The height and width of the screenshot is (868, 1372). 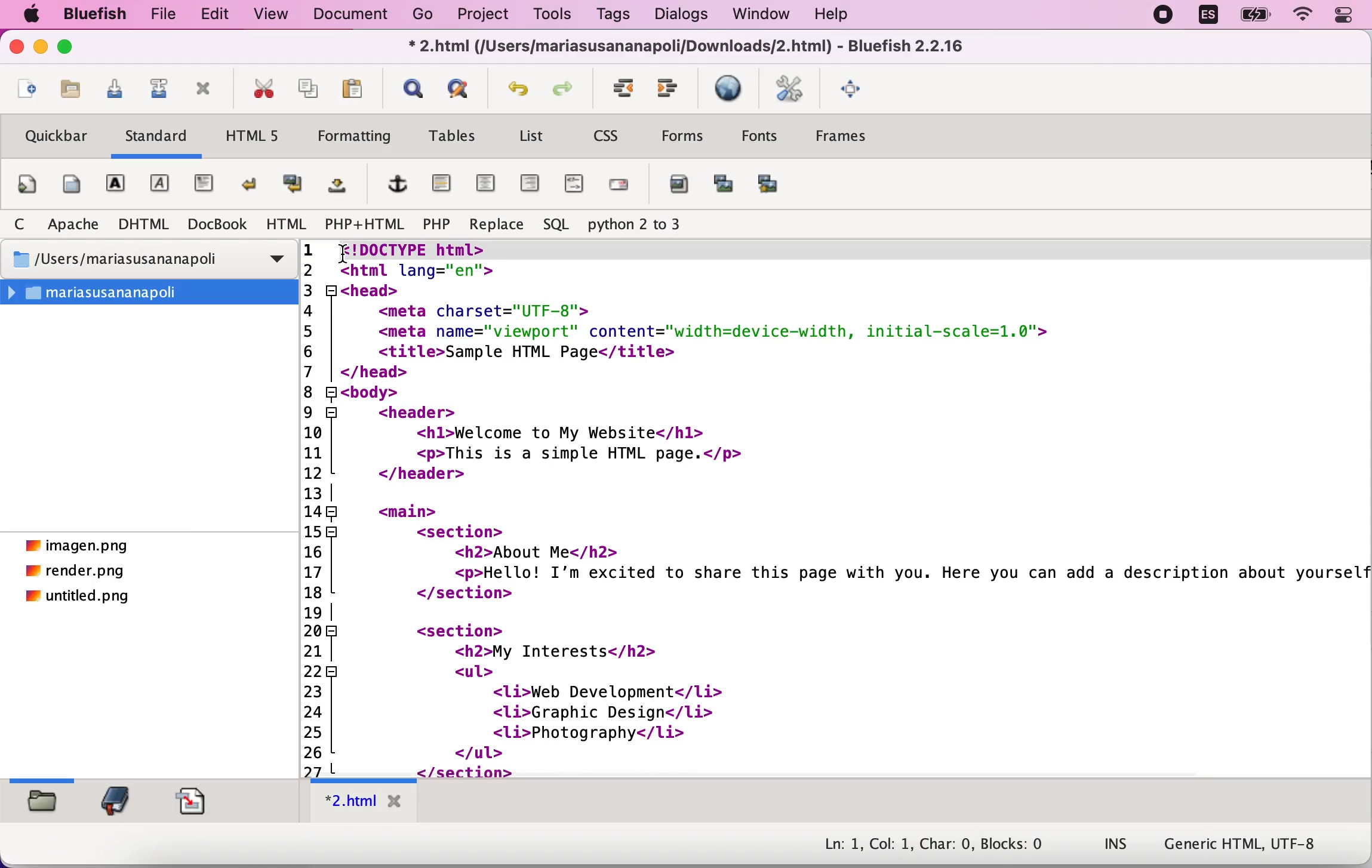 I want to click on fonts, so click(x=760, y=138).